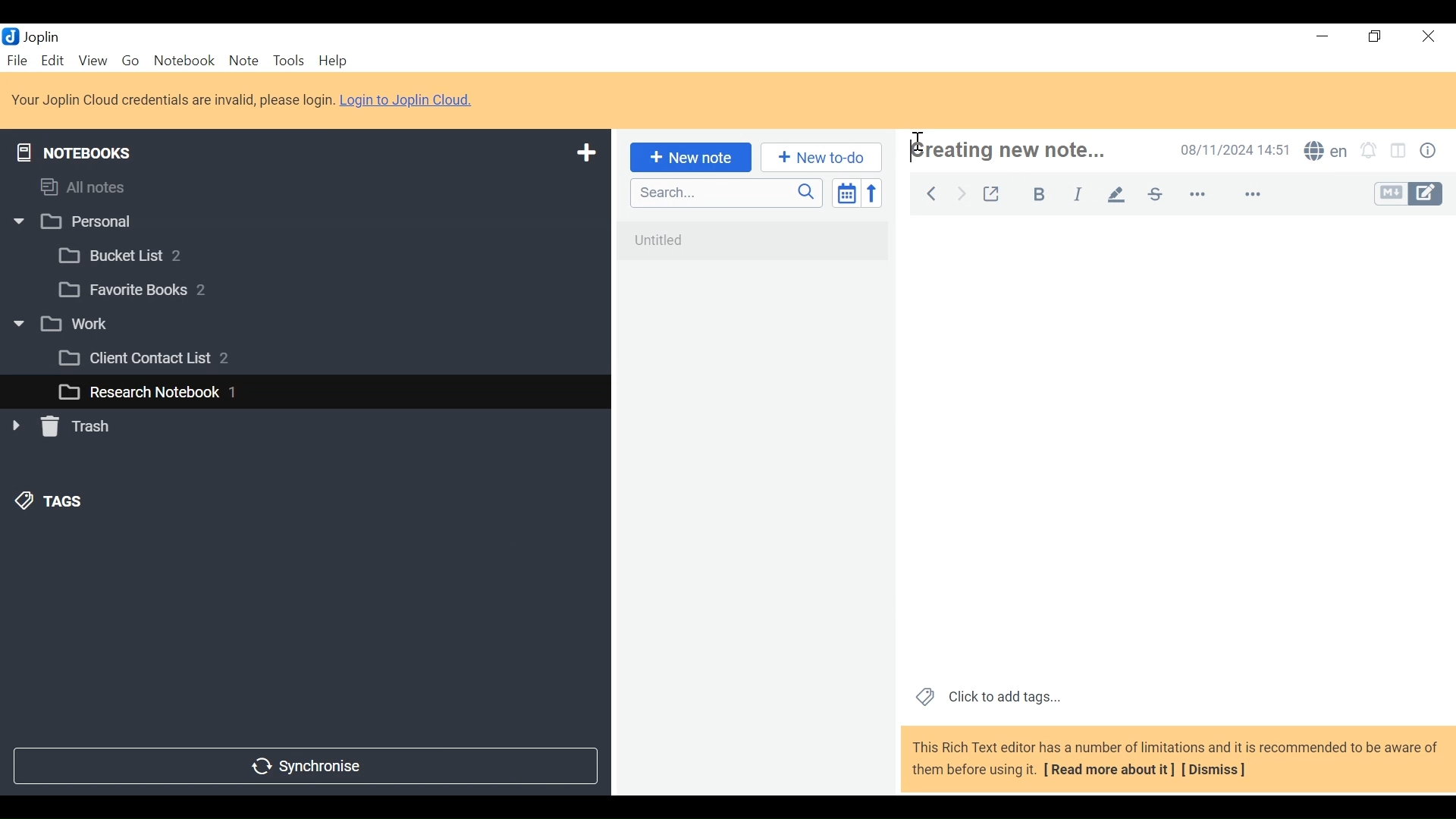  What do you see at coordinates (991, 191) in the screenshot?
I see `Toggle external editing` at bounding box center [991, 191].